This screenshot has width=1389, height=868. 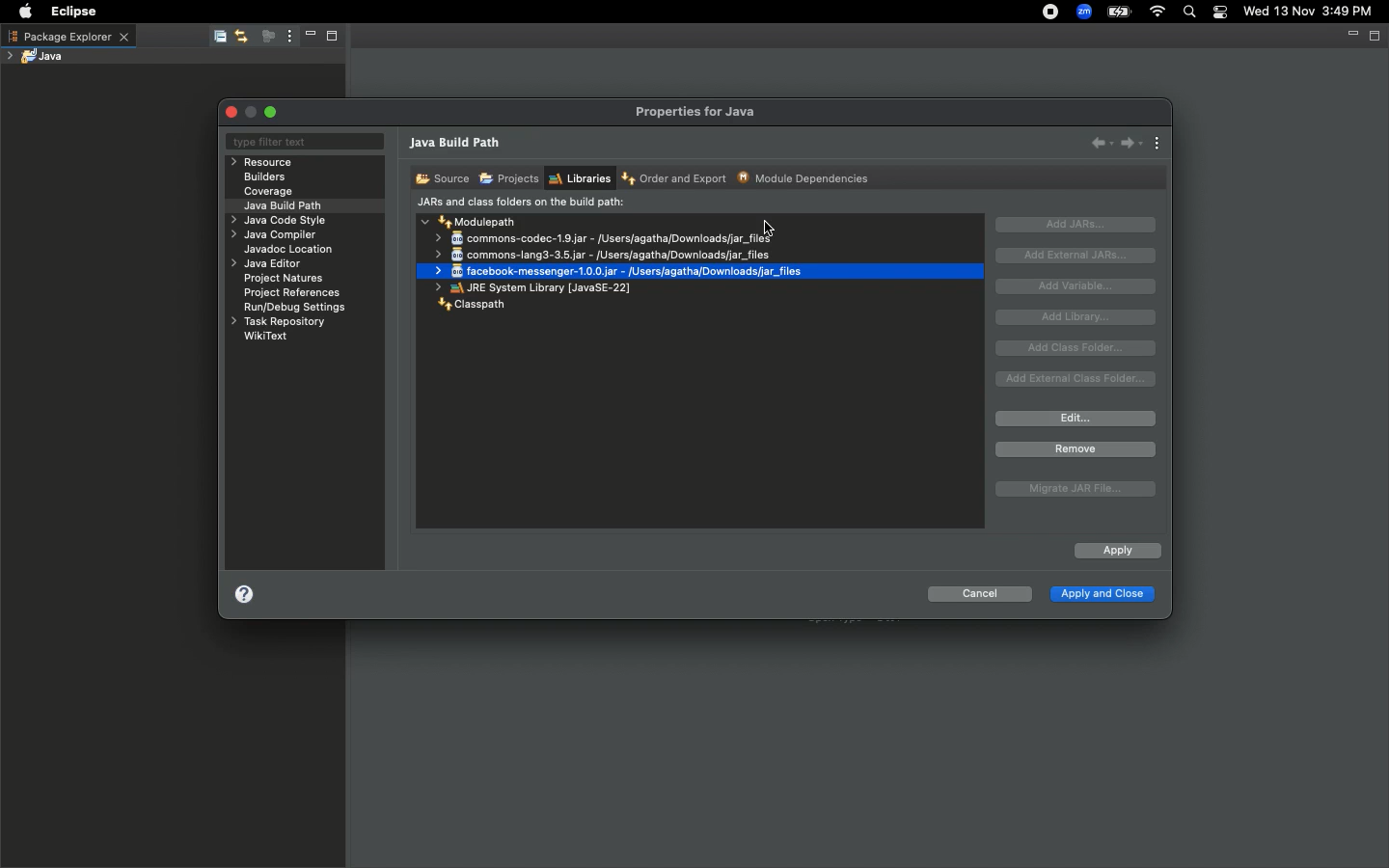 I want to click on Apply, so click(x=1116, y=552).